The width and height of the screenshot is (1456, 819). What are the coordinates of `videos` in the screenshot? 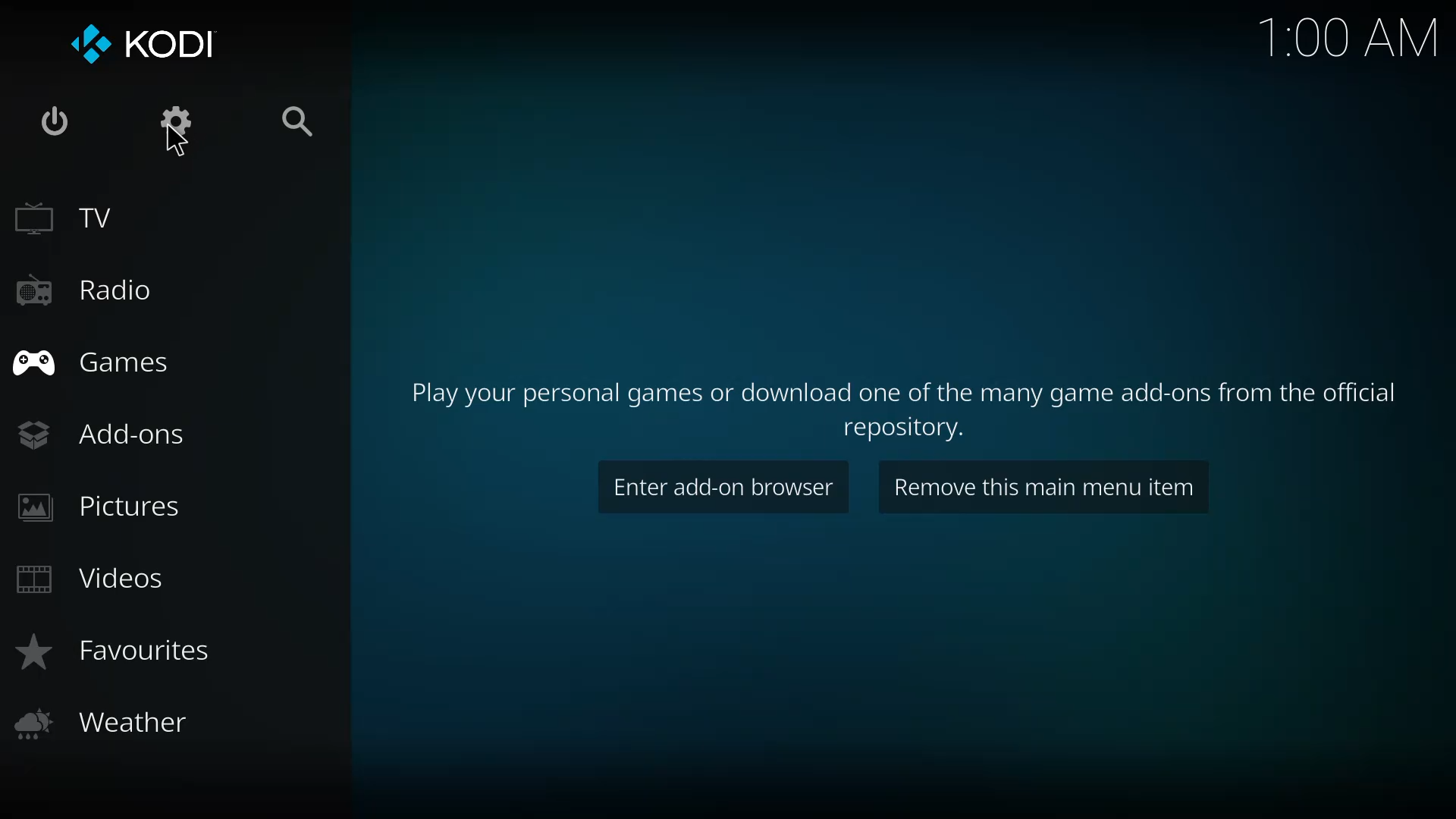 It's located at (93, 579).